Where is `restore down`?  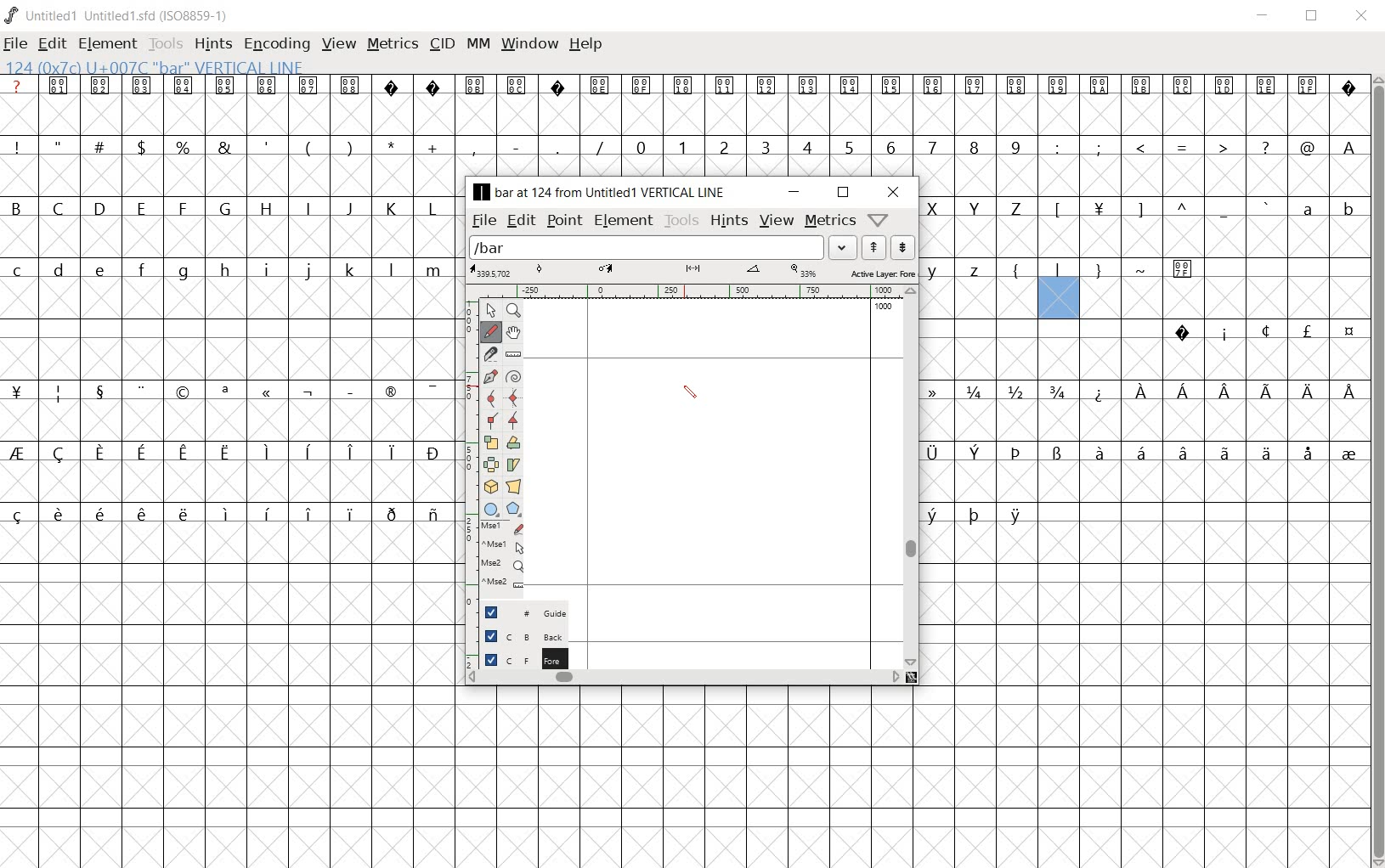
restore down is located at coordinates (843, 194).